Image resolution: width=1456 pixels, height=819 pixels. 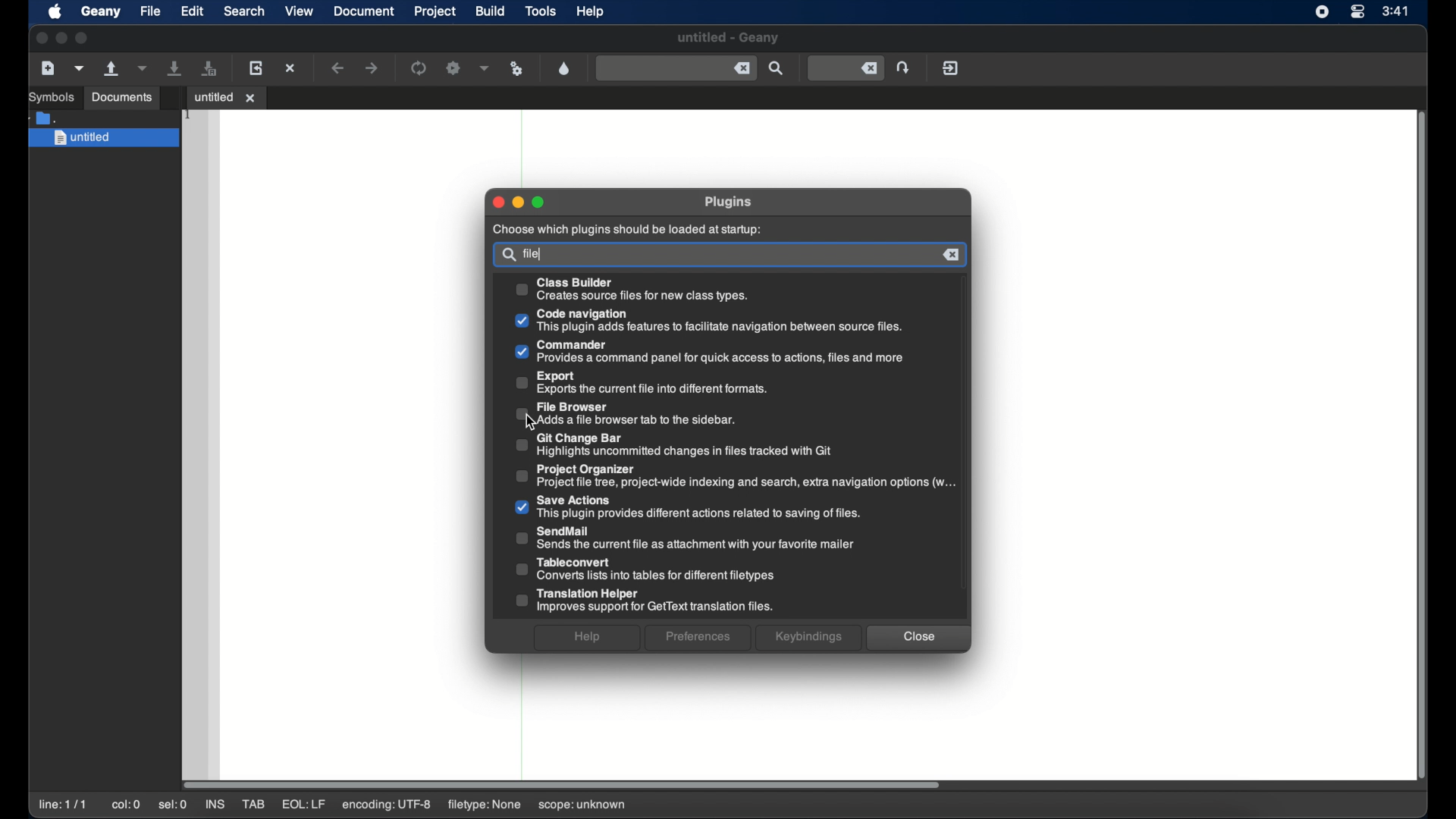 I want to click on jump to entered line number, so click(x=846, y=69).